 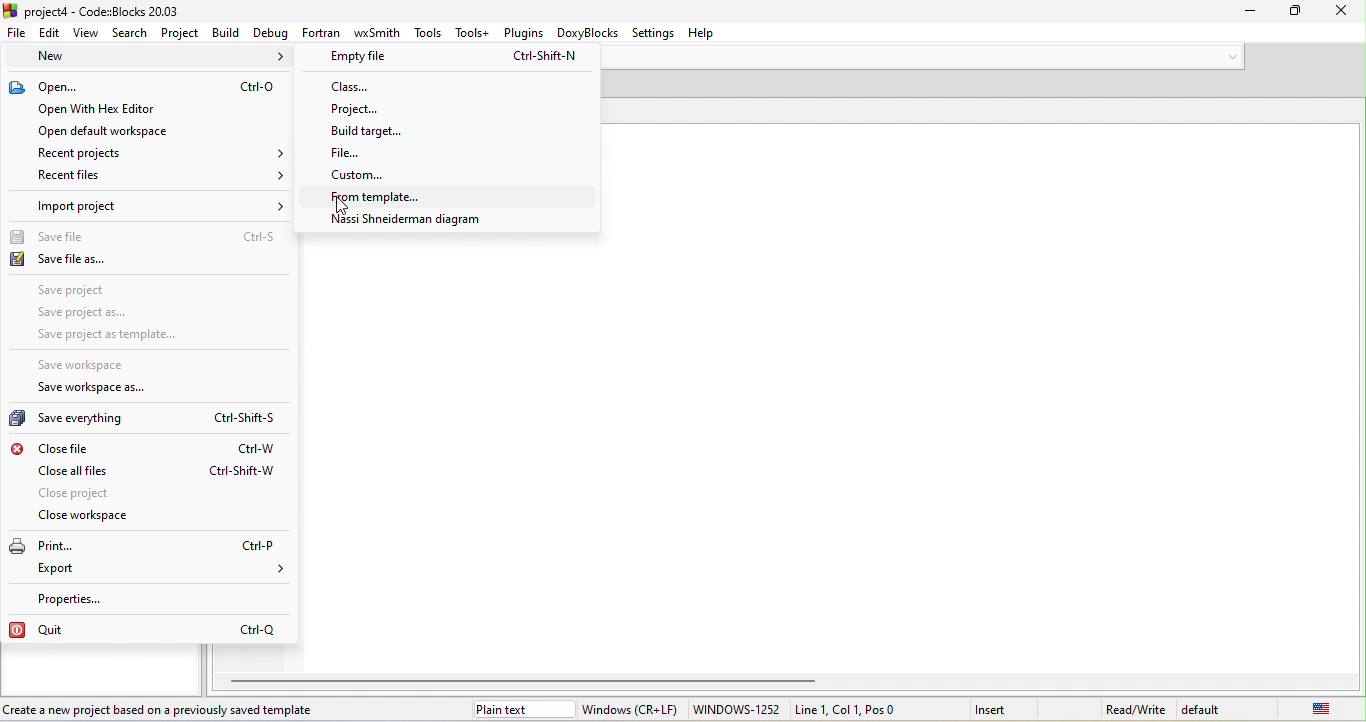 What do you see at coordinates (162, 207) in the screenshot?
I see `import project` at bounding box center [162, 207].